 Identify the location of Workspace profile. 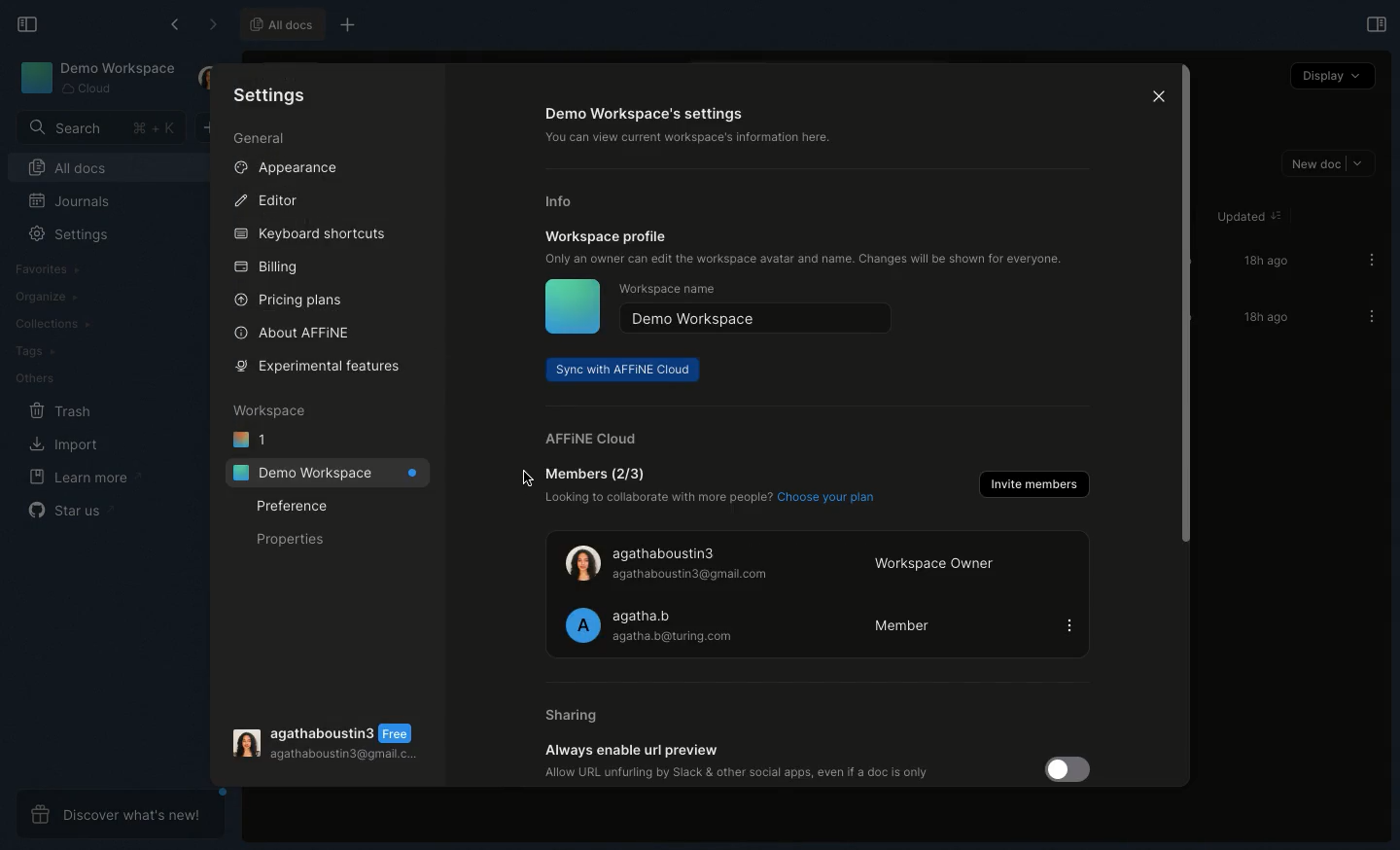
(810, 250).